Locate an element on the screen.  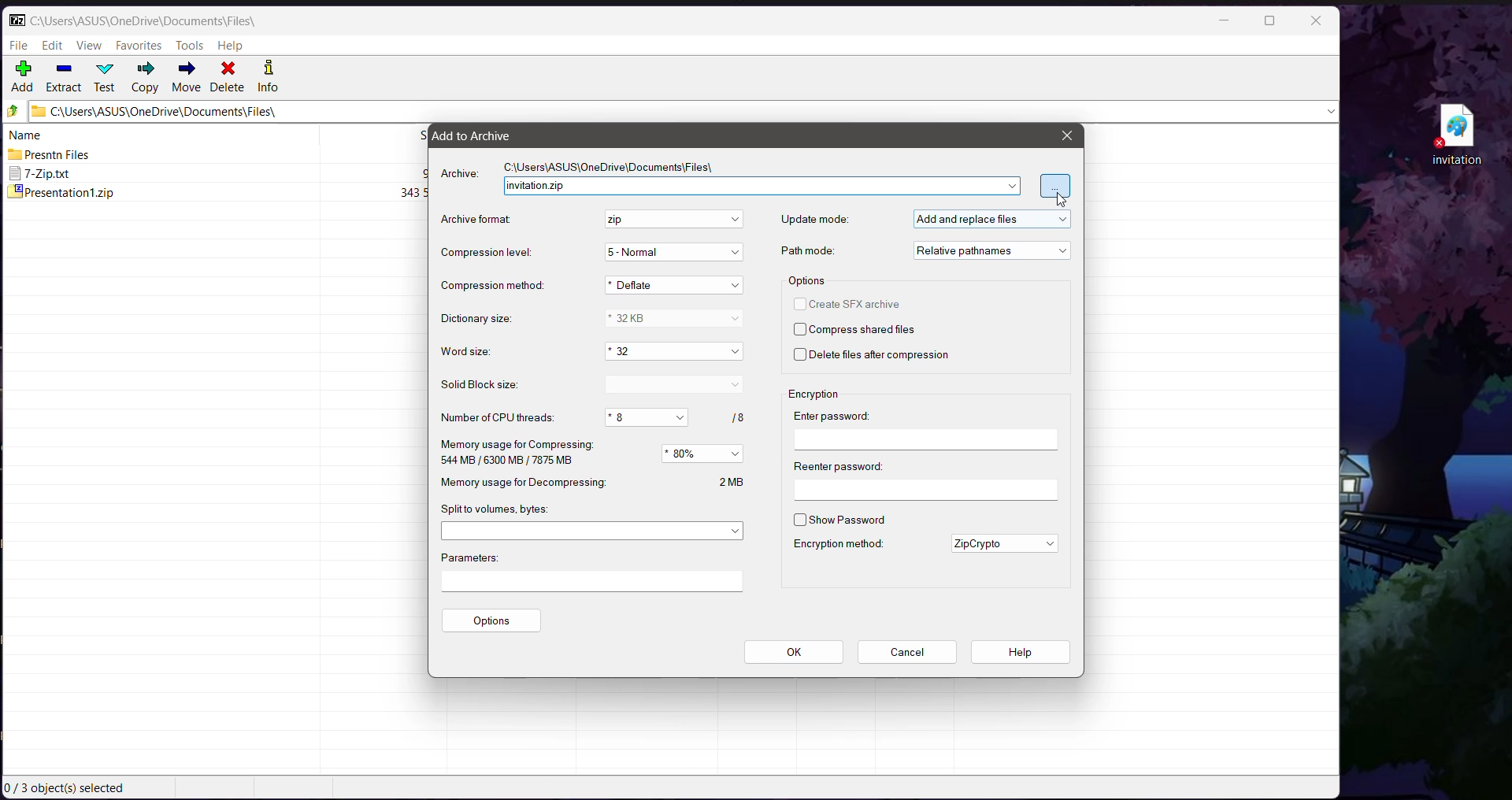
Presntn Files 2024-11-21 15.10 2024-11-20 22:14 is located at coordinates (217, 154).